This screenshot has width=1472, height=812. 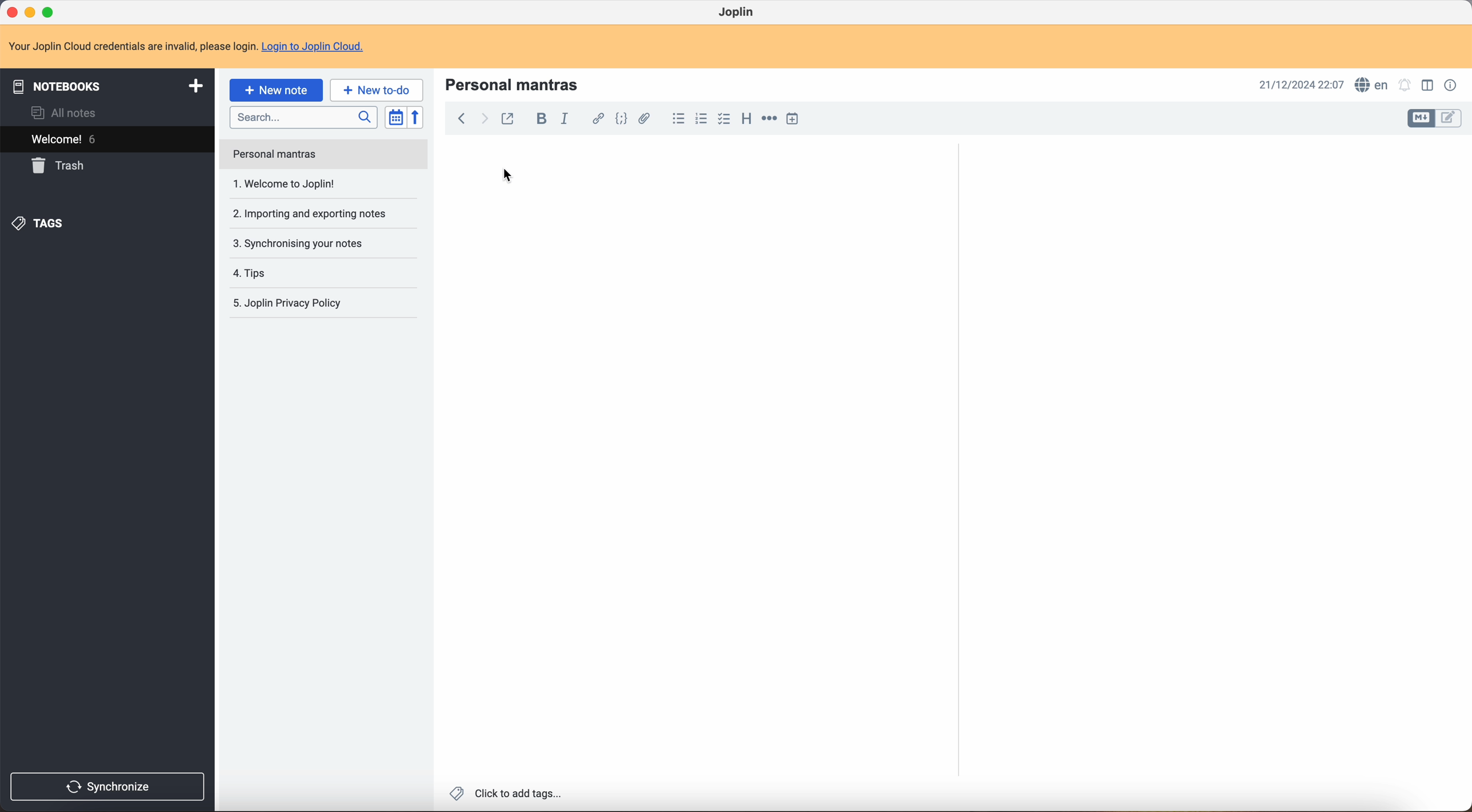 I want to click on synchronise, so click(x=111, y=786).